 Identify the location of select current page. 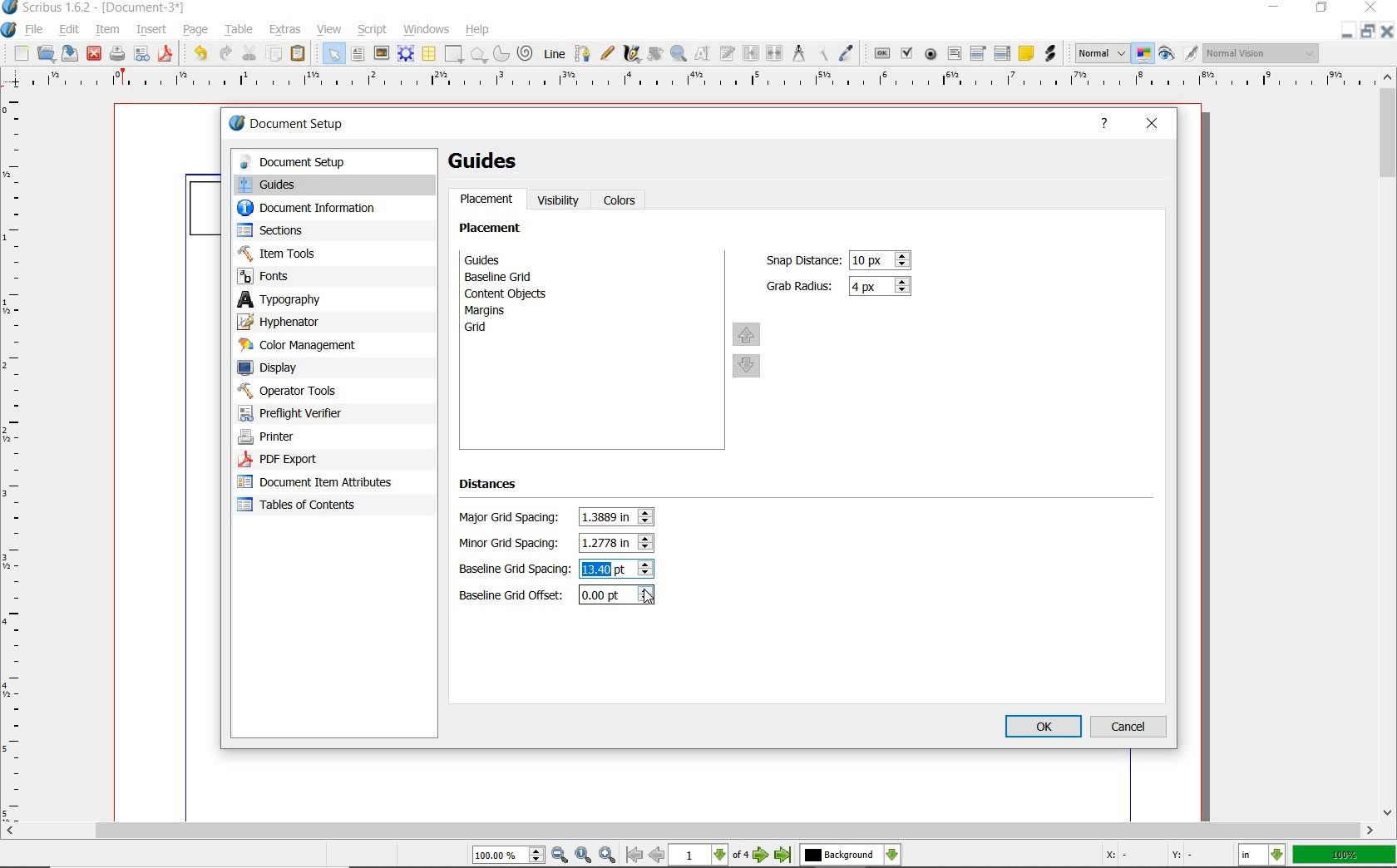
(711, 856).